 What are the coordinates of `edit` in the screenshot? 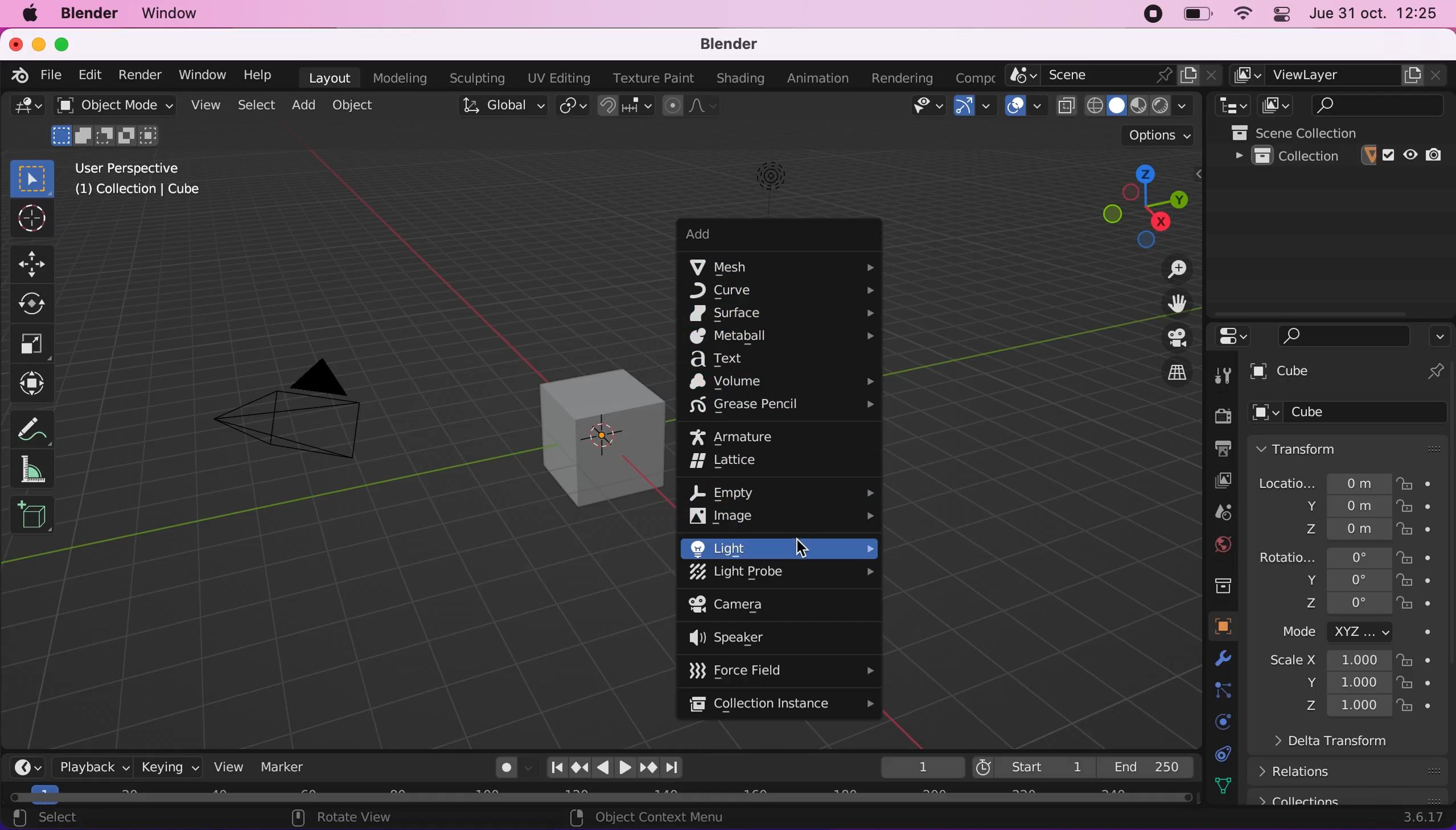 It's located at (93, 75).